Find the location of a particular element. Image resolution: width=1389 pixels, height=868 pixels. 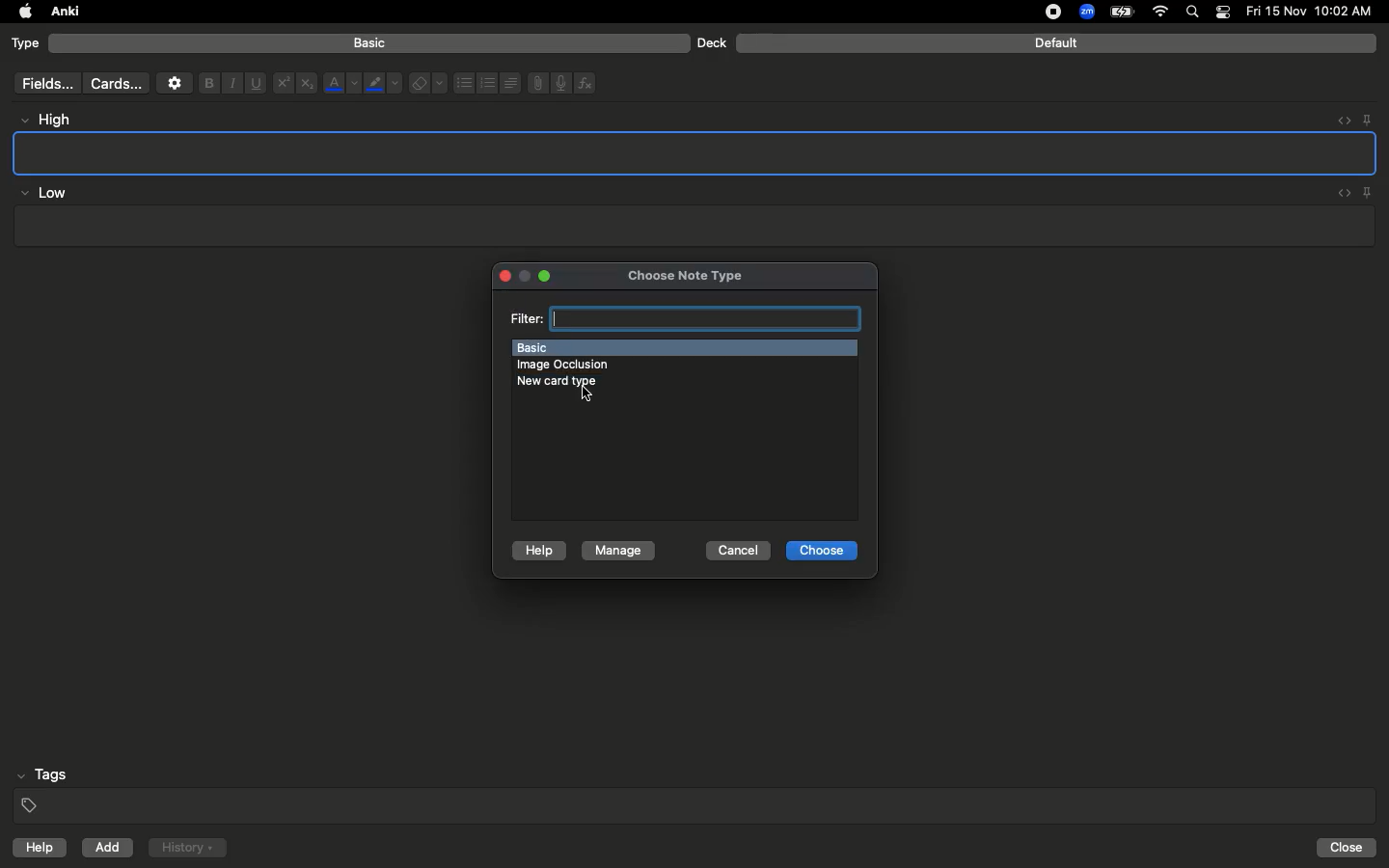

Close is located at coordinates (1349, 848).